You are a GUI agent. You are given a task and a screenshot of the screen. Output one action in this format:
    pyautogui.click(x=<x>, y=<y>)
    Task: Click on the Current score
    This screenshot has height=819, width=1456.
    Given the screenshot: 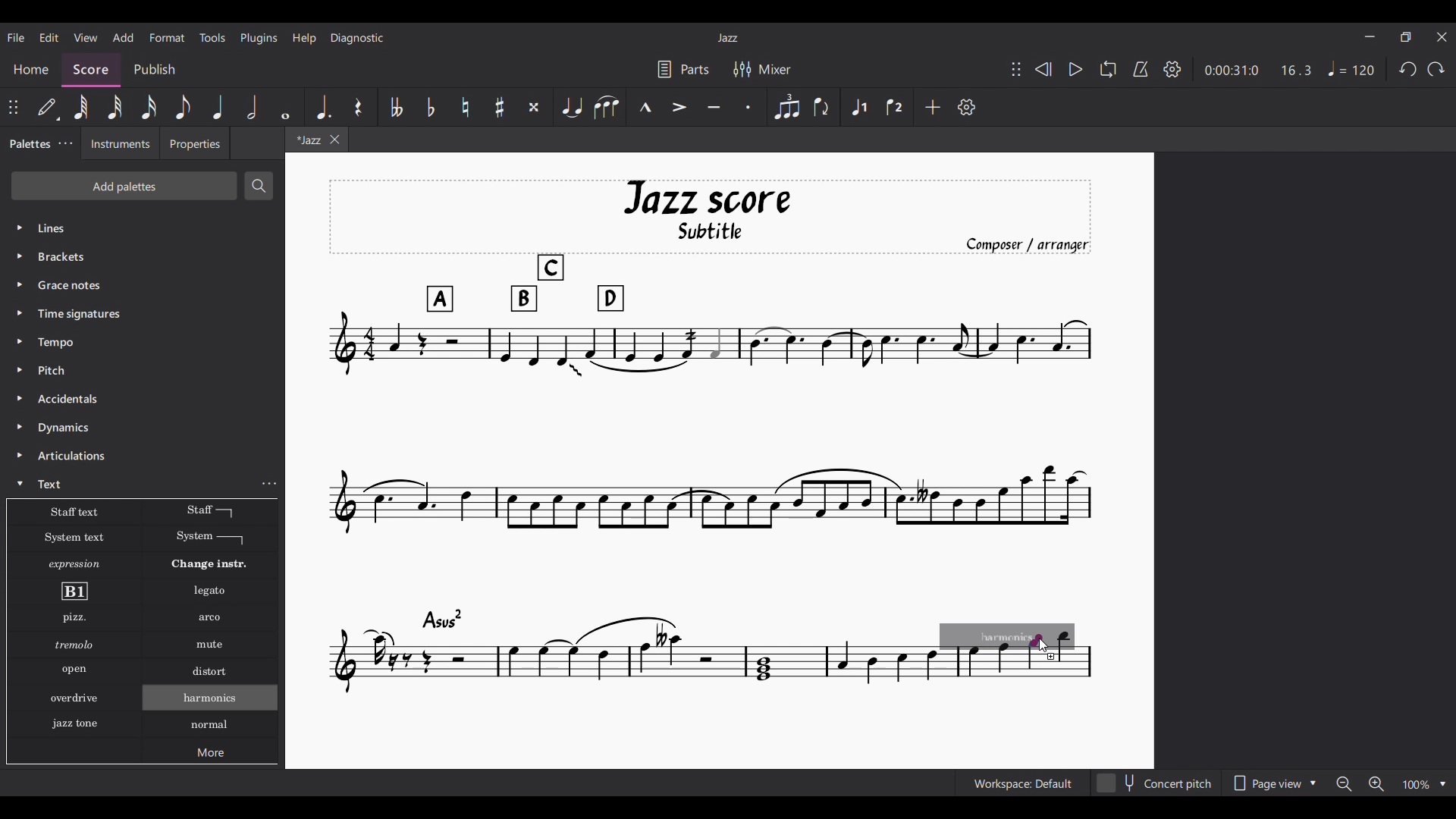 What is the action you would take?
    pyautogui.click(x=725, y=373)
    